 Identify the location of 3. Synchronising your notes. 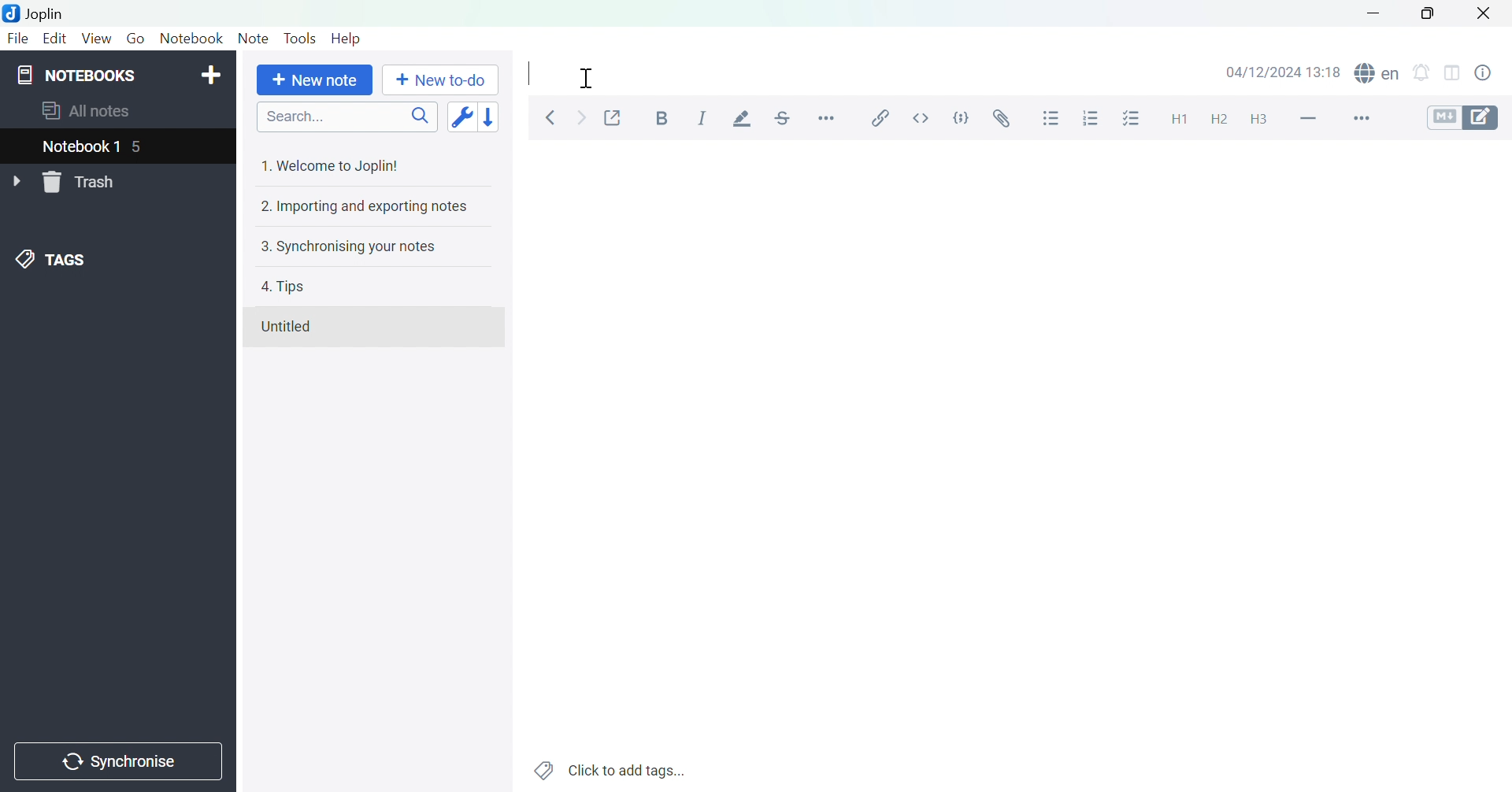
(353, 246).